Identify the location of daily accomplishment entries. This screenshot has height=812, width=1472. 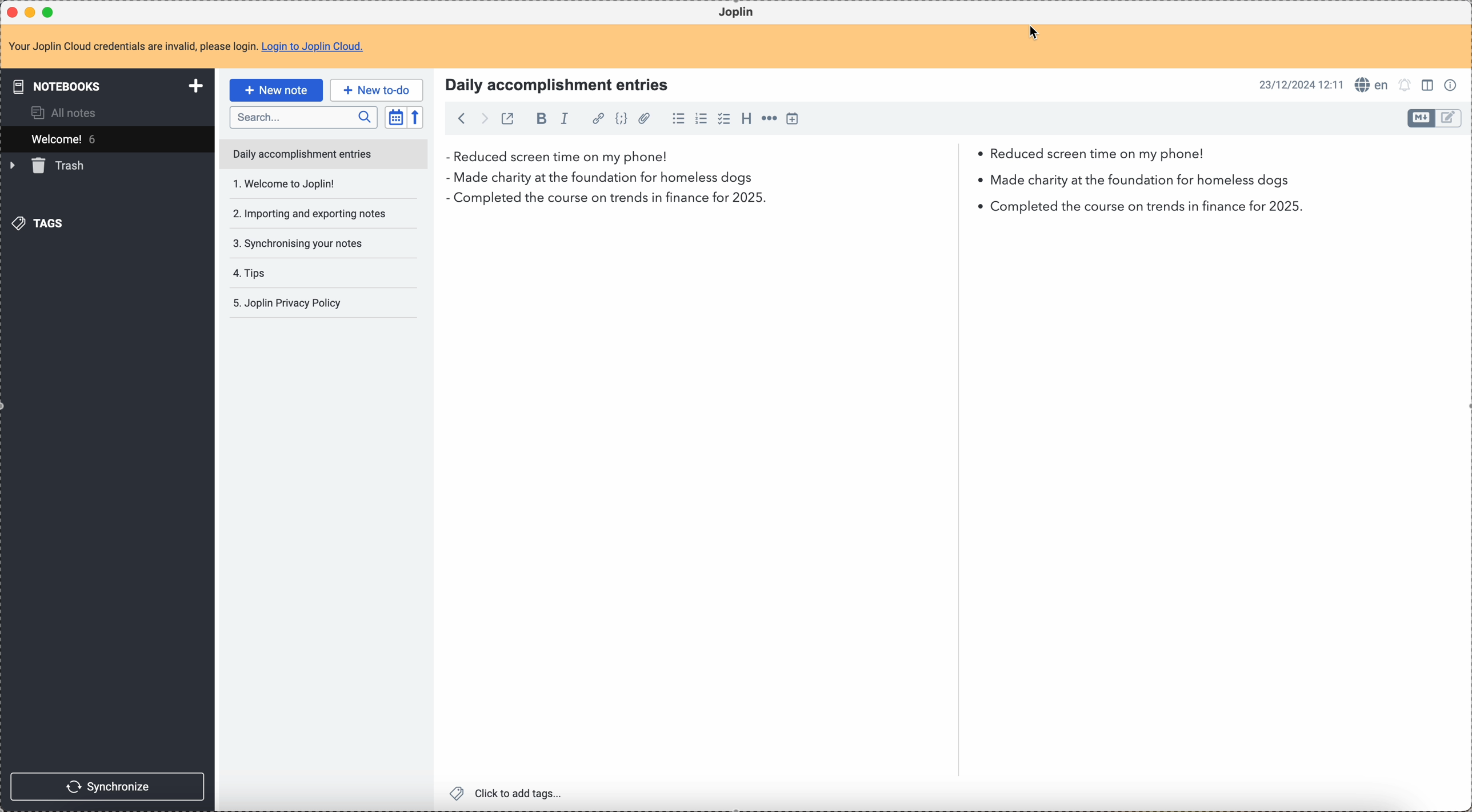
(301, 153).